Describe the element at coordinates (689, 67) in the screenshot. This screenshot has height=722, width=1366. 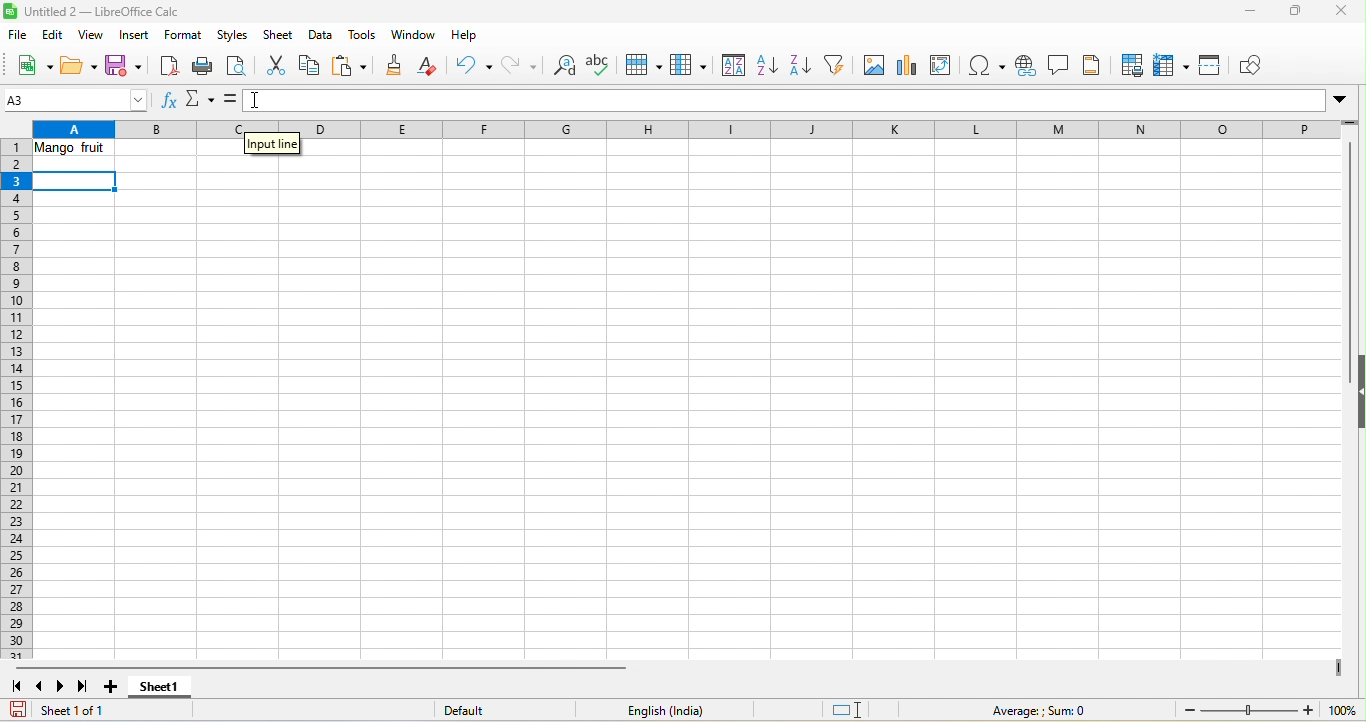
I see `column` at that location.